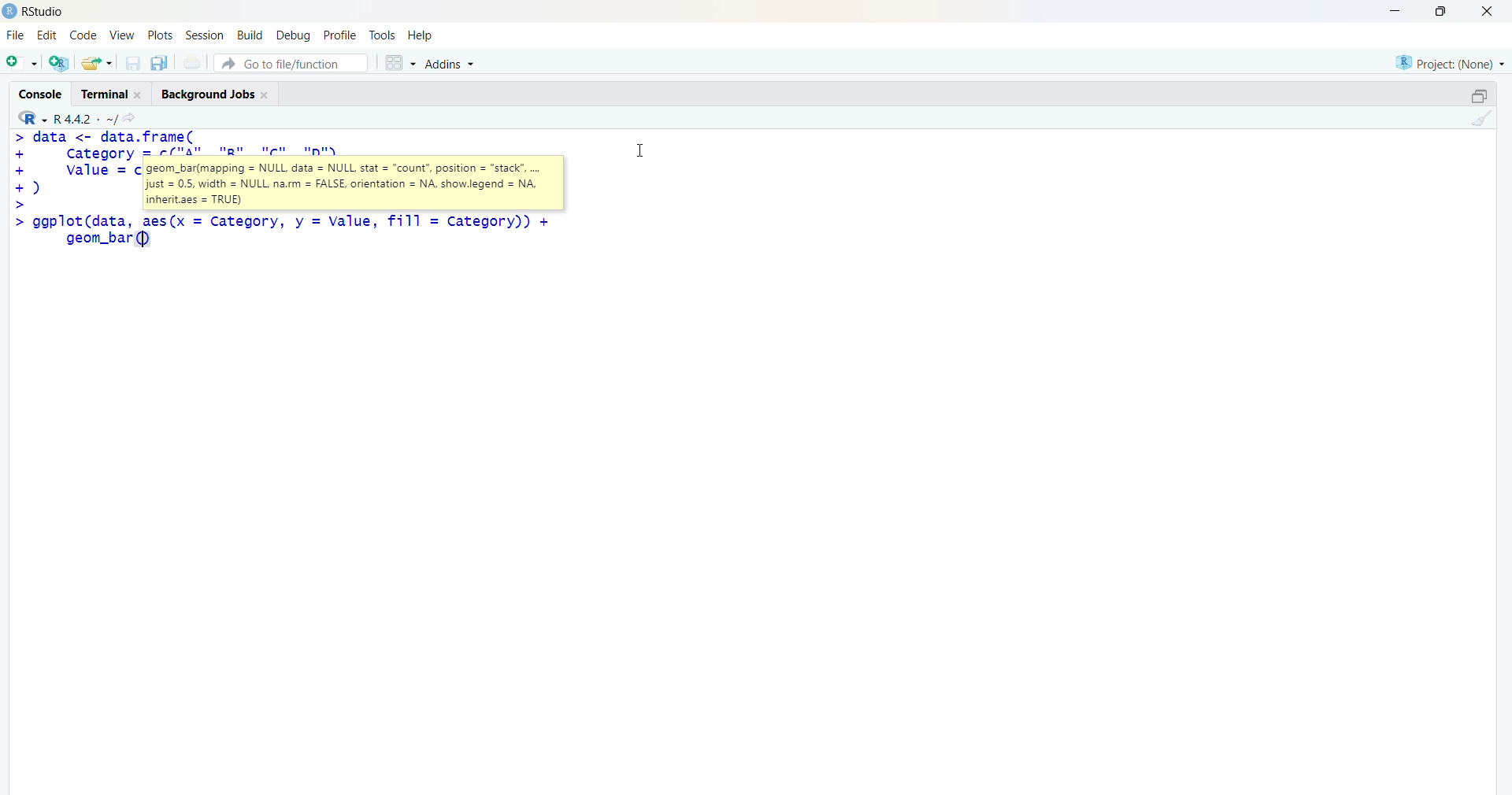 Image resolution: width=1512 pixels, height=795 pixels. Describe the element at coordinates (58, 62) in the screenshot. I see `create a project` at that location.